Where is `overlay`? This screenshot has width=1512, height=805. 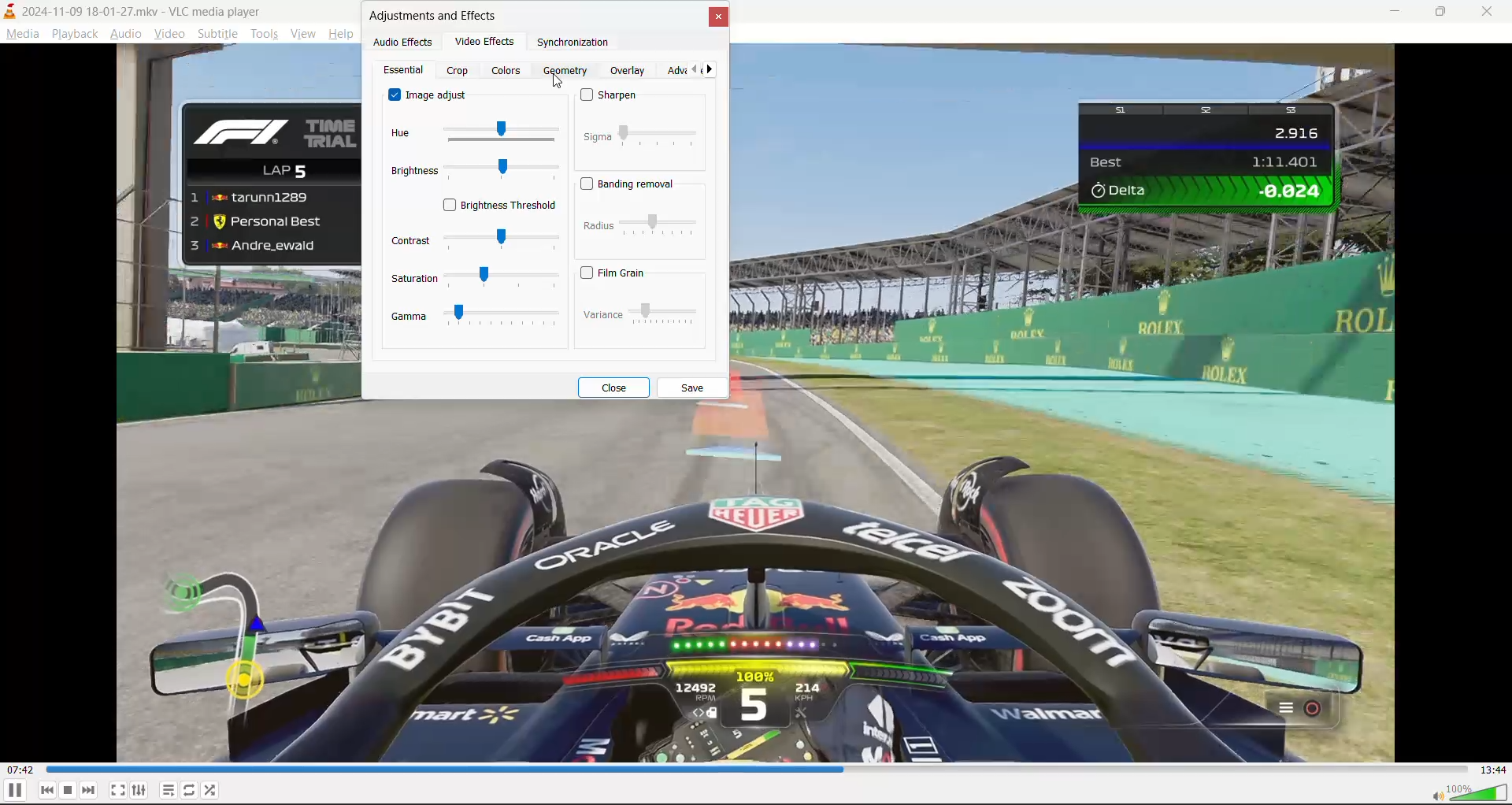 overlay is located at coordinates (628, 69).